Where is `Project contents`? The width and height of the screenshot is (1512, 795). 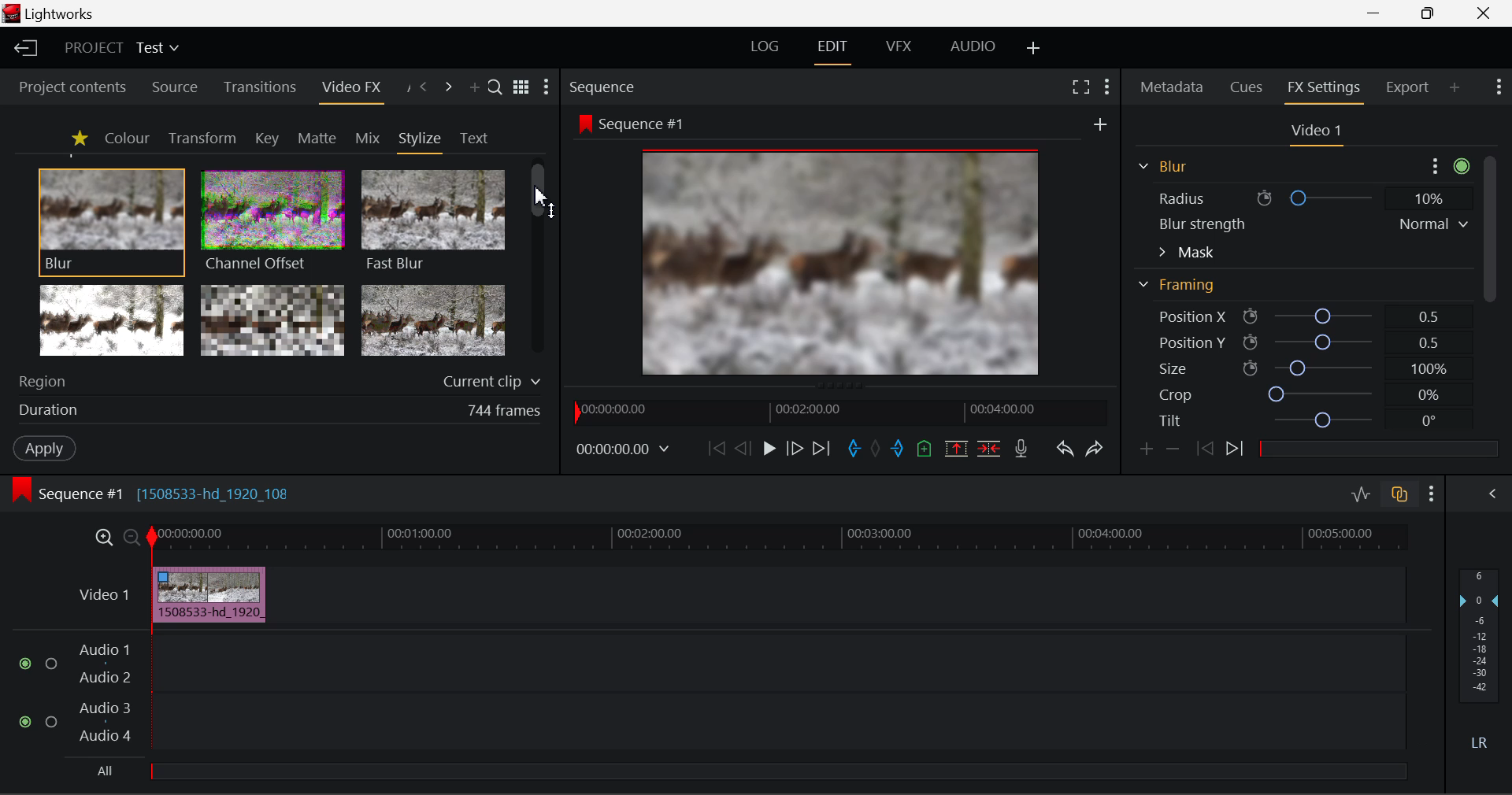 Project contents is located at coordinates (72, 87).